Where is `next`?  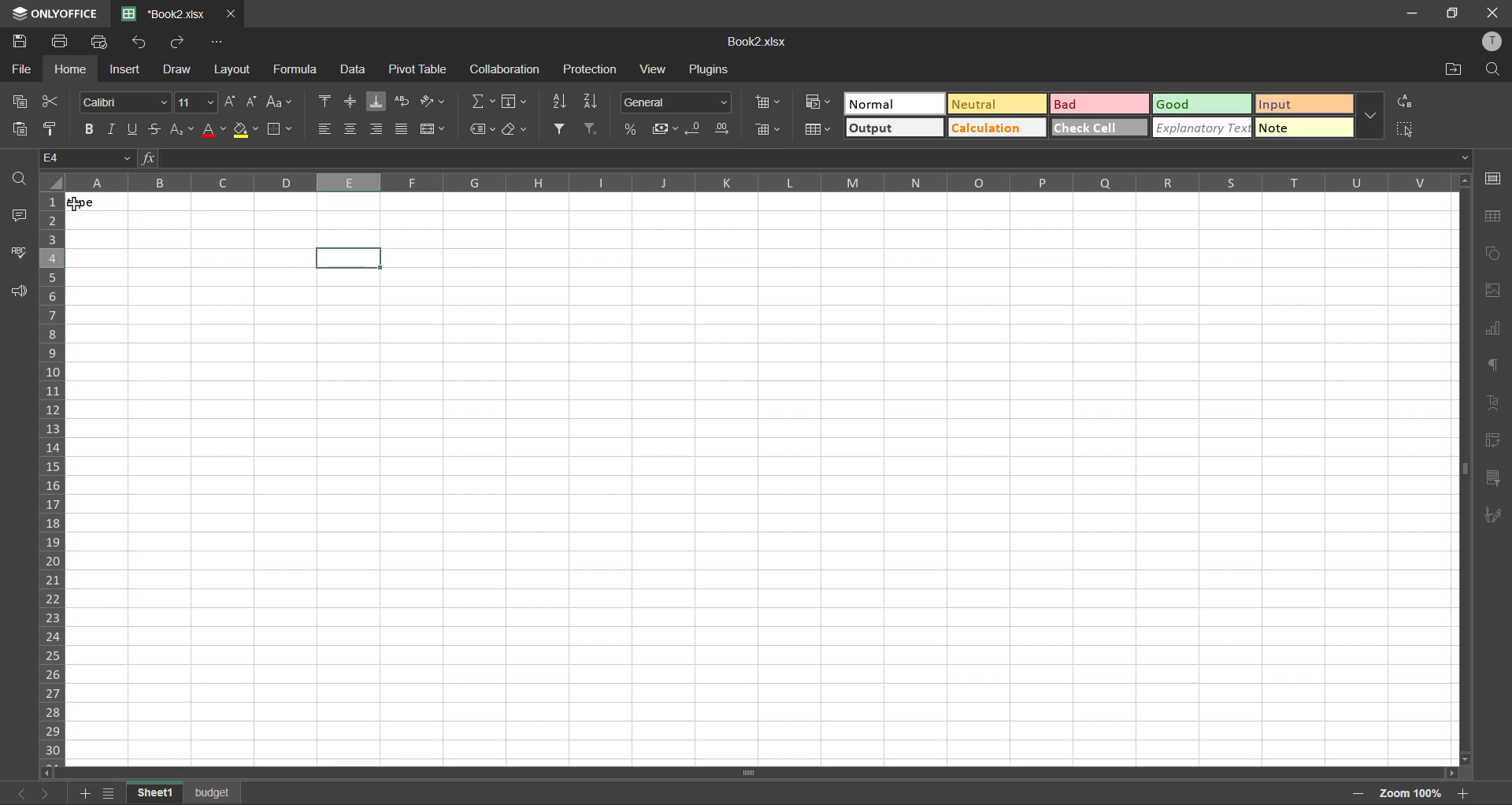 next is located at coordinates (50, 793).